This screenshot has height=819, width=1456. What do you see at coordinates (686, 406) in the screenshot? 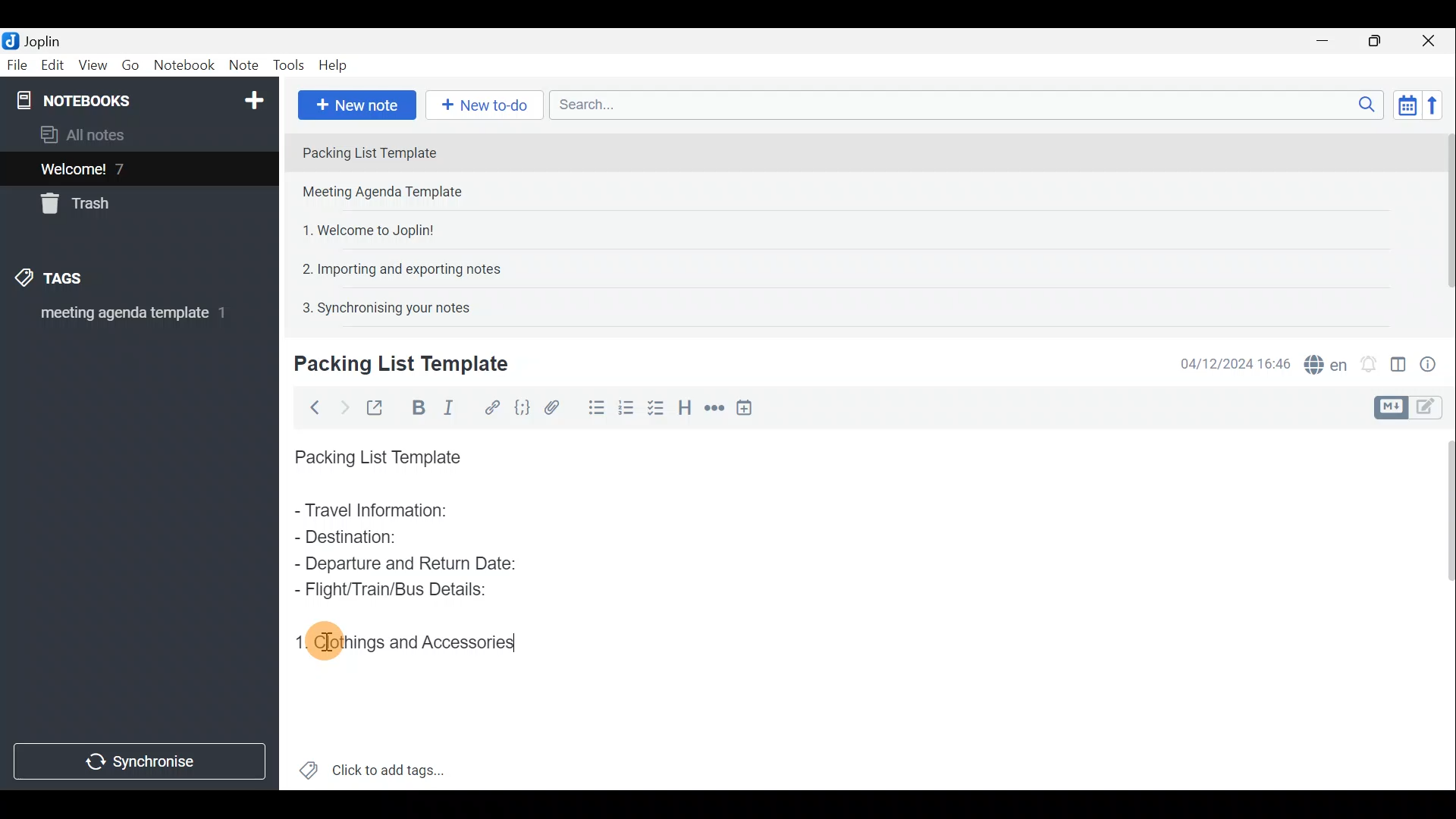
I see `Heading` at bounding box center [686, 406].